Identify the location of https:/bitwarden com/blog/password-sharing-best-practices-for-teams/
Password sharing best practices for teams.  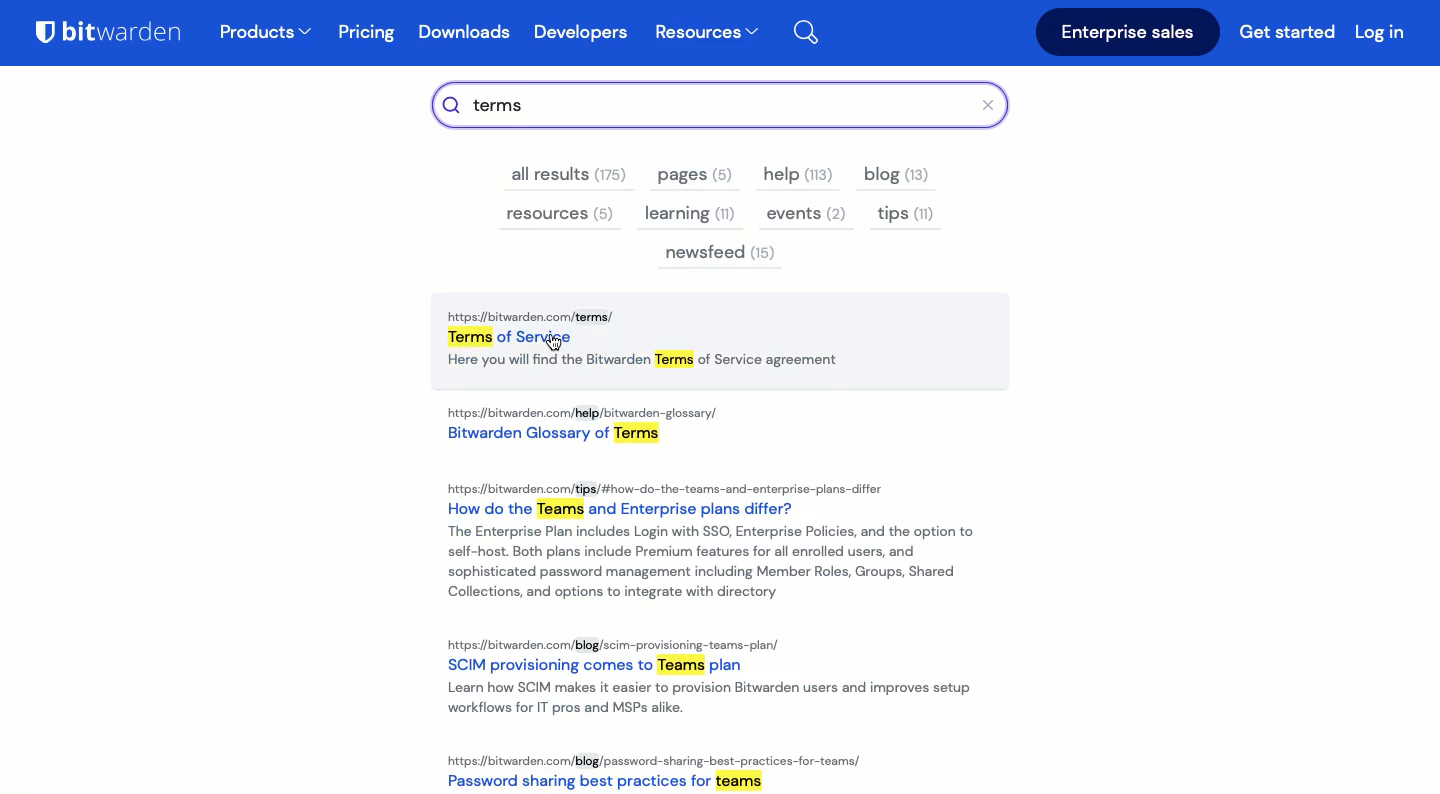
(658, 769).